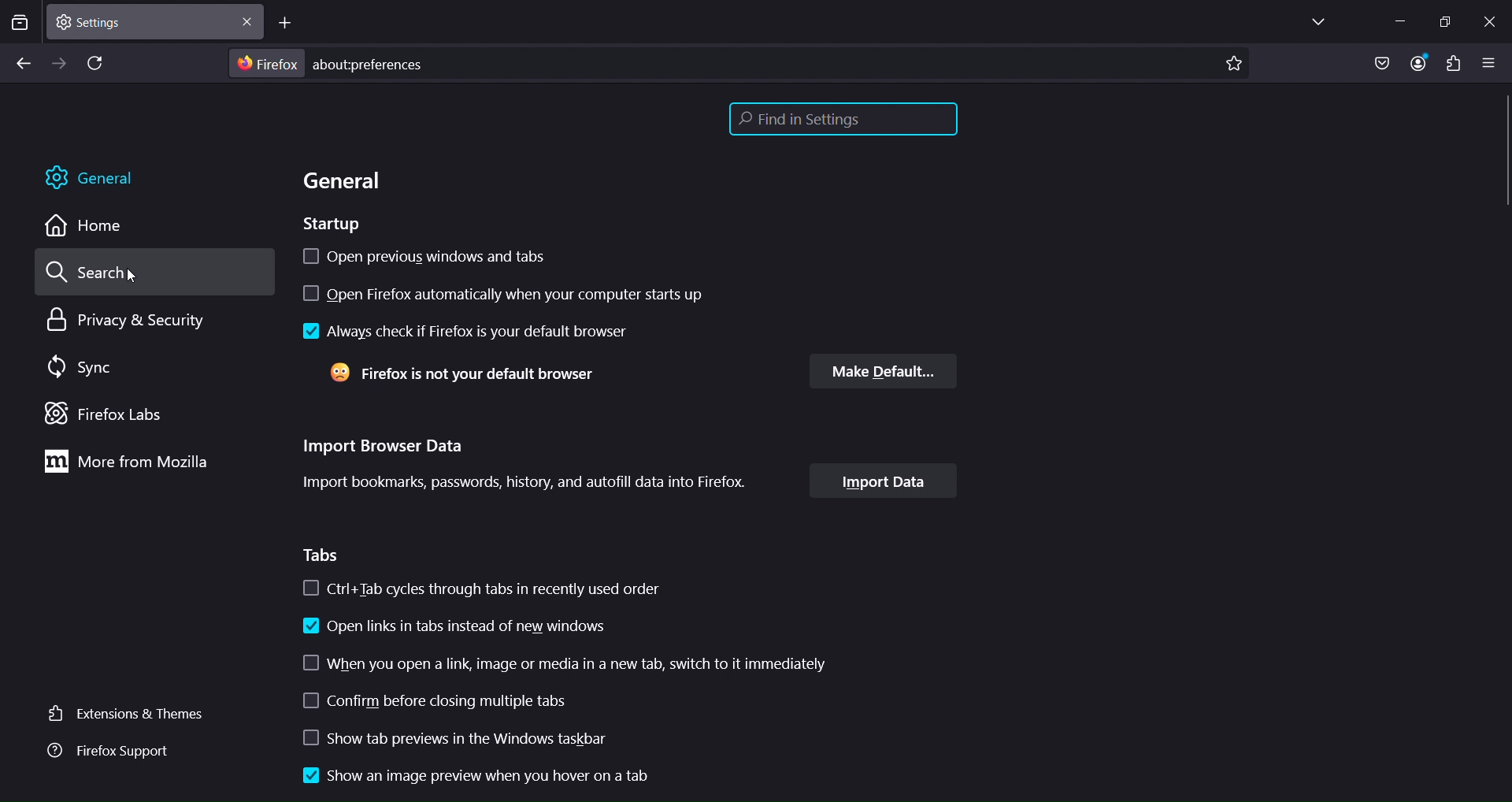 This screenshot has width=1512, height=802. What do you see at coordinates (20, 24) in the screenshot?
I see `search tab` at bounding box center [20, 24].